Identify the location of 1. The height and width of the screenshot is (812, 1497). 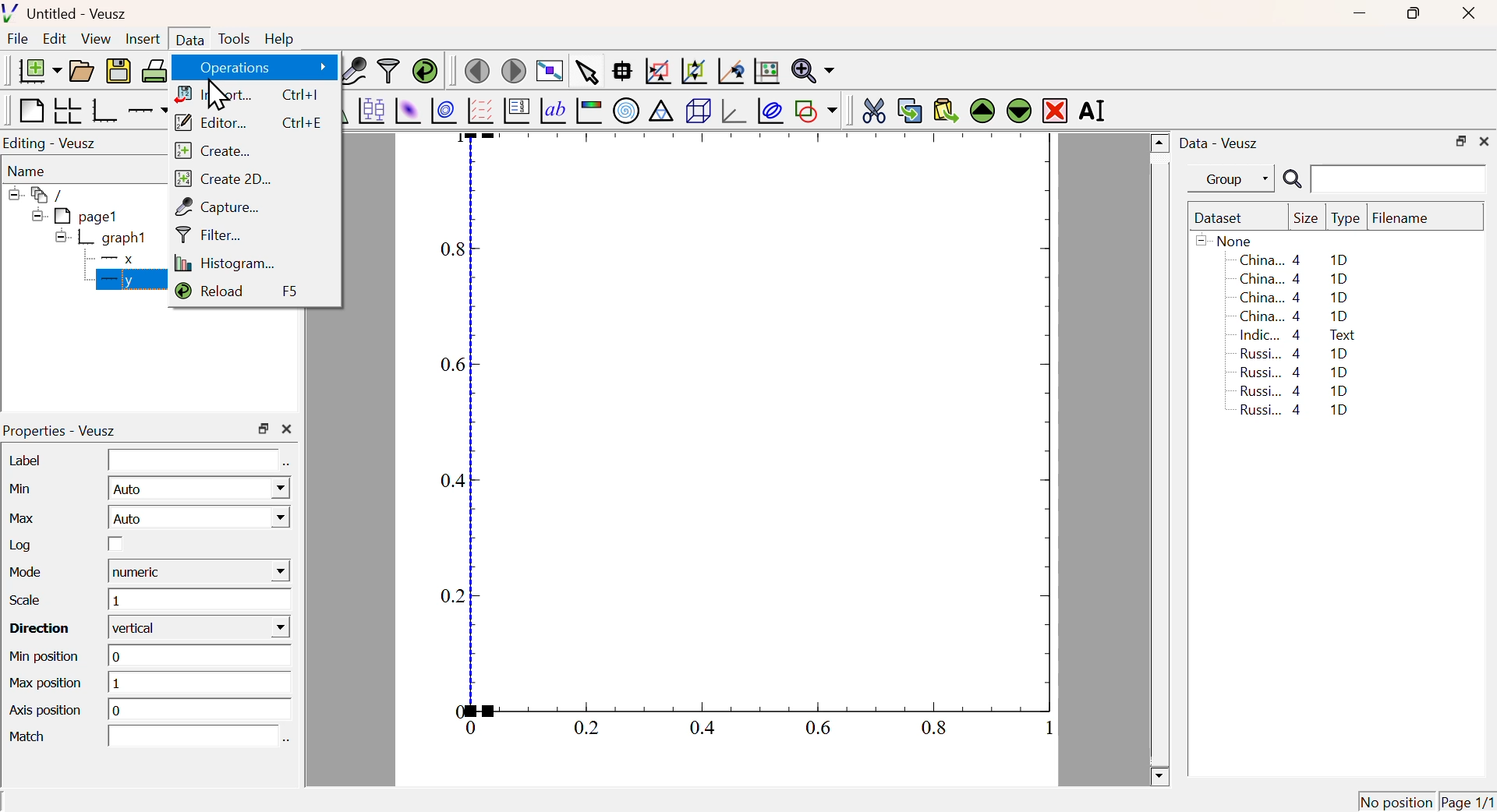
(199, 600).